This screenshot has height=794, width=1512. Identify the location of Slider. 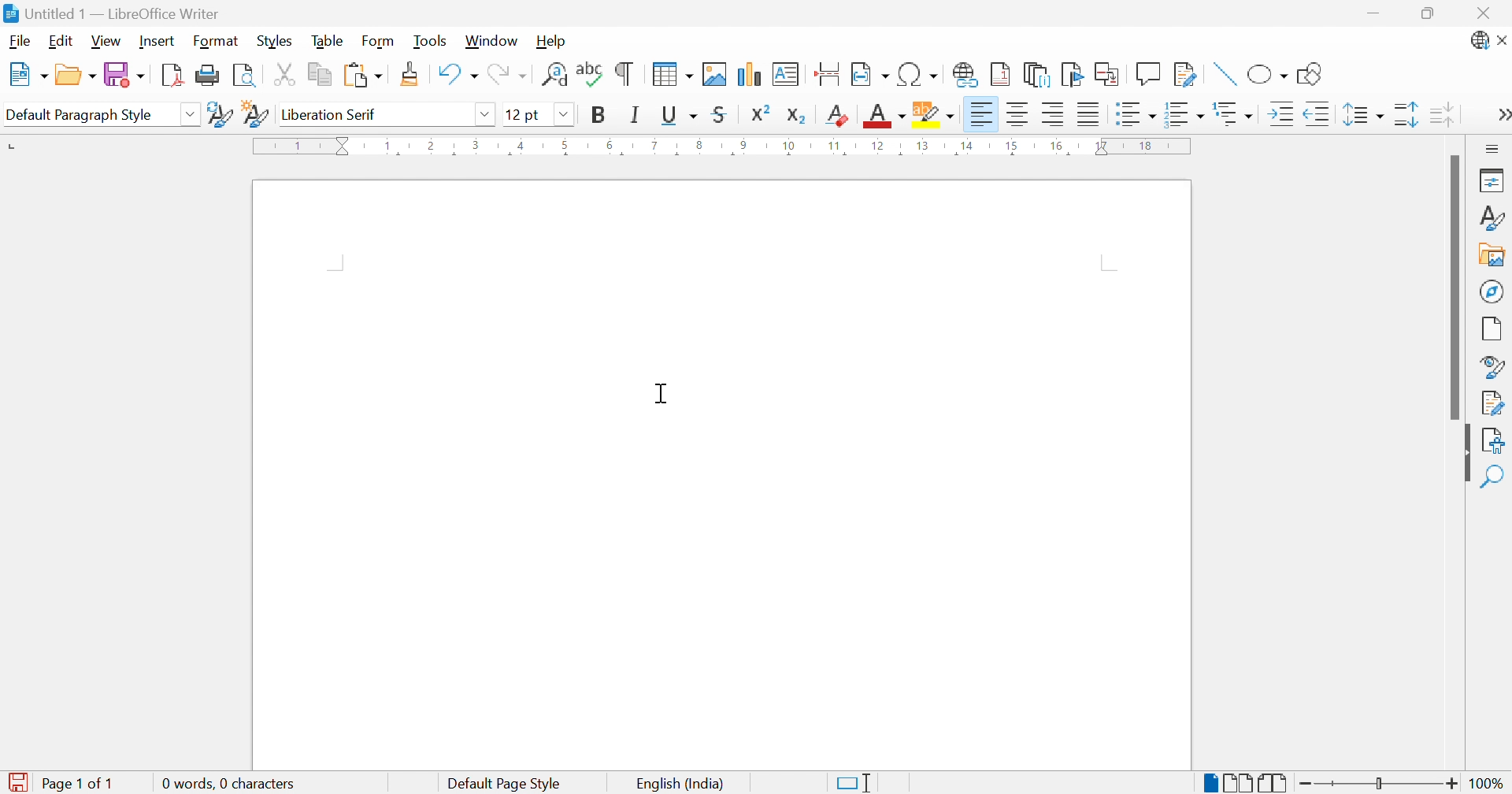
(1377, 785).